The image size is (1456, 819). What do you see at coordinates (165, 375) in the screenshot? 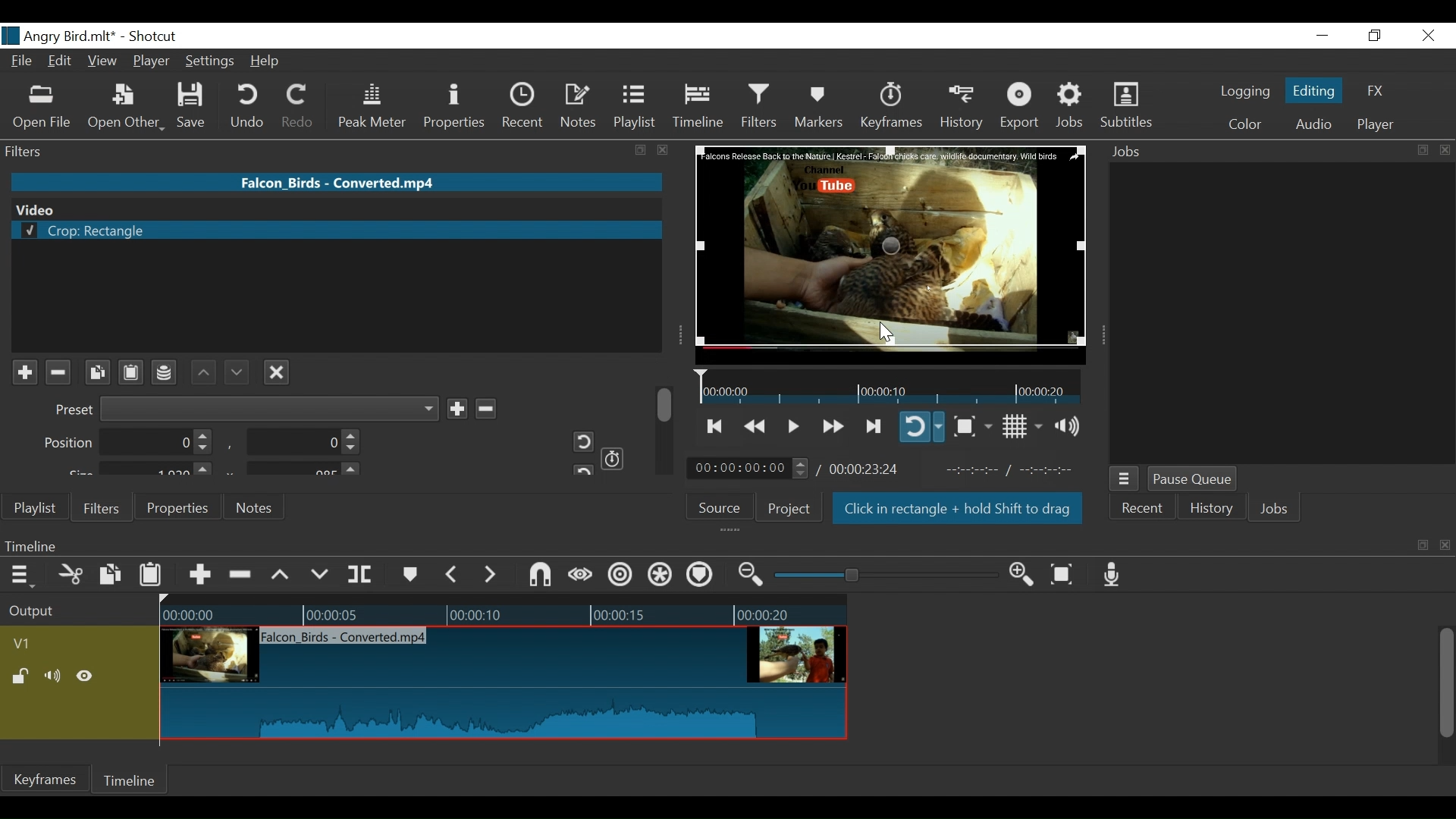
I see `Channel` at bounding box center [165, 375].